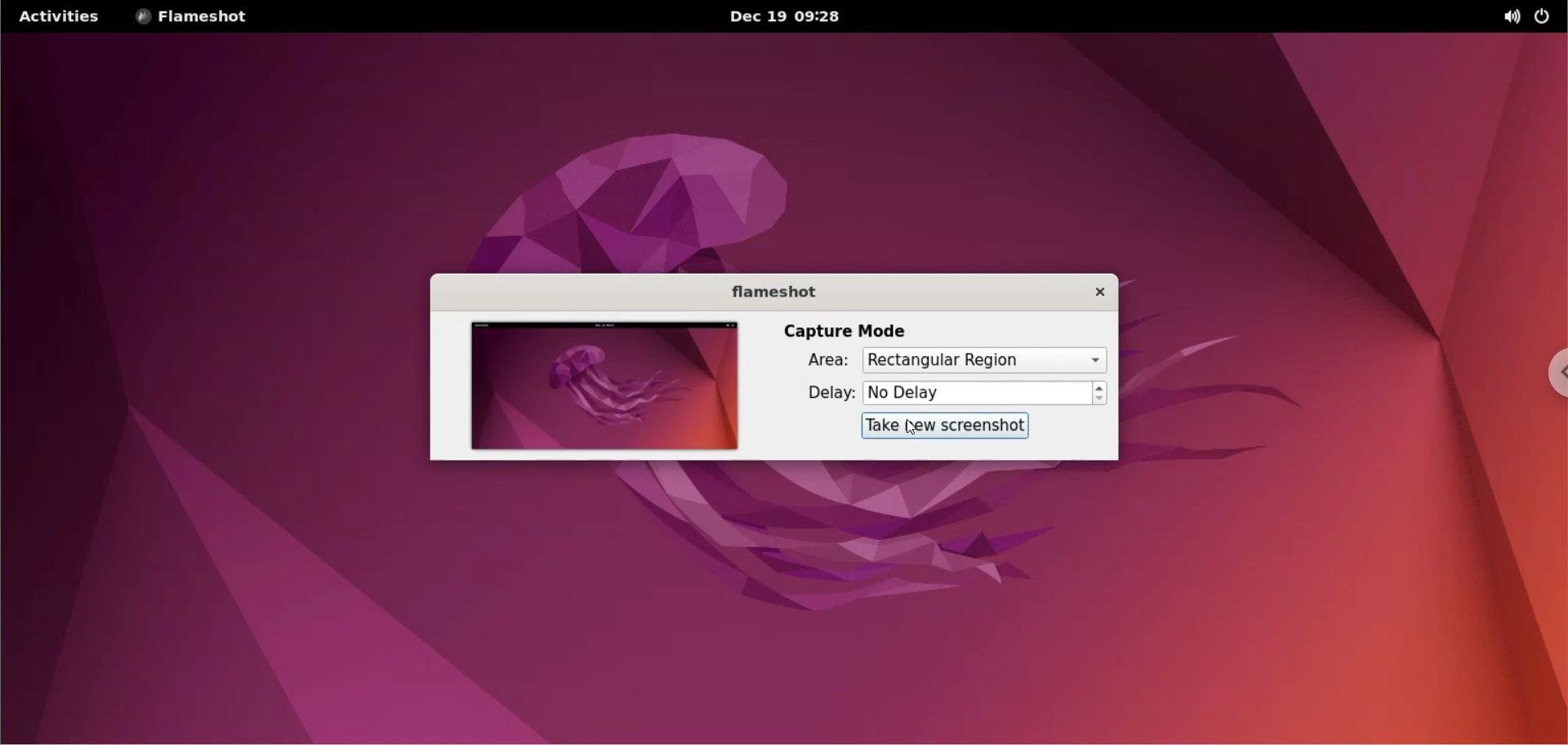 Image resolution: width=1568 pixels, height=745 pixels. Describe the element at coordinates (599, 387) in the screenshot. I see `screenshot preview` at that location.